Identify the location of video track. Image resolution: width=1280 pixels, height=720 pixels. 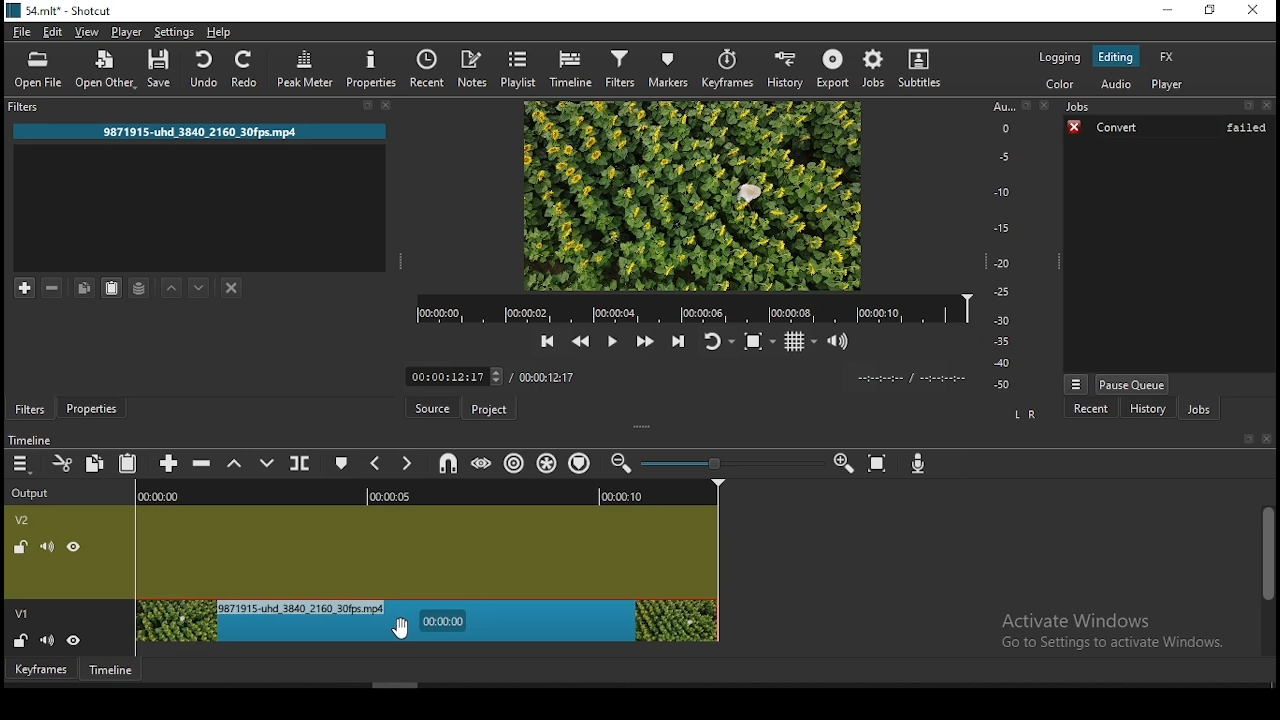
(429, 551).